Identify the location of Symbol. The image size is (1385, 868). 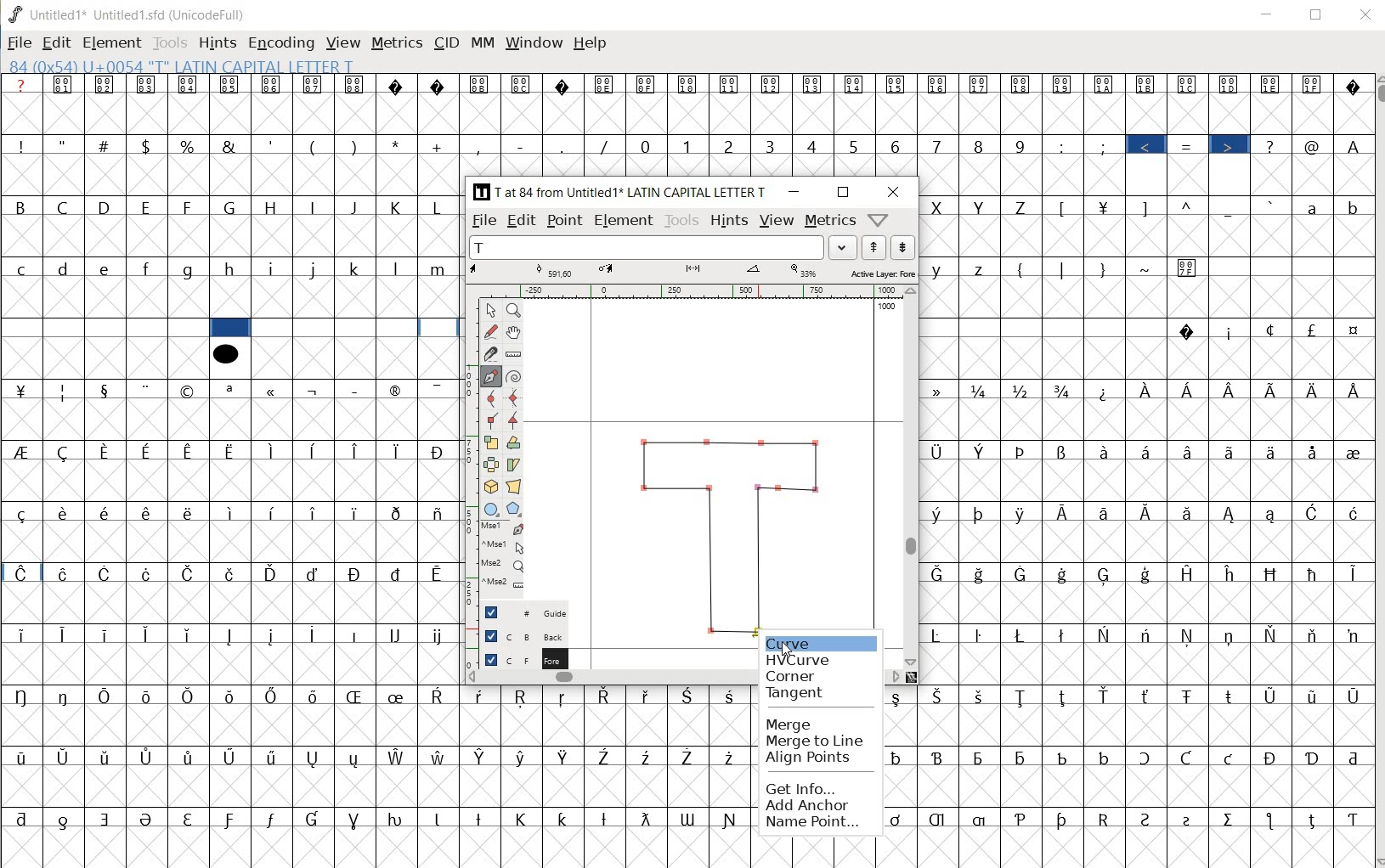
(1063, 391).